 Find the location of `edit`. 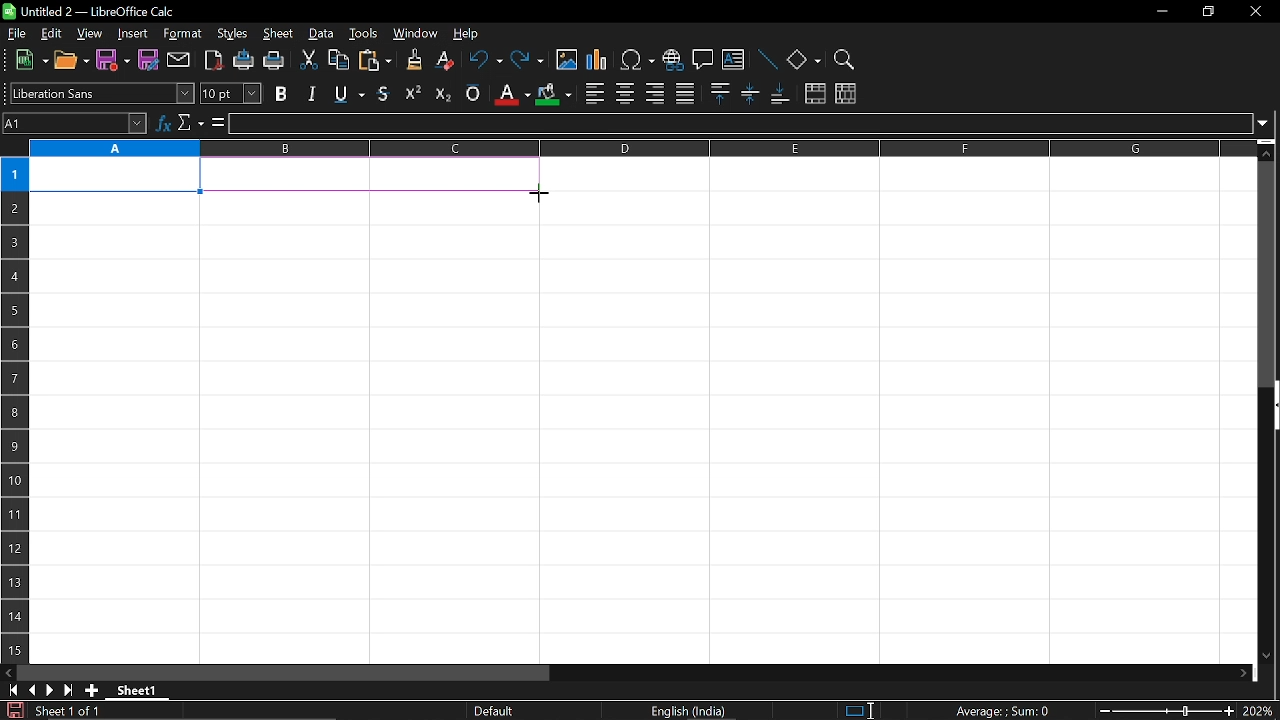

edit is located at coordinates (48, 34).